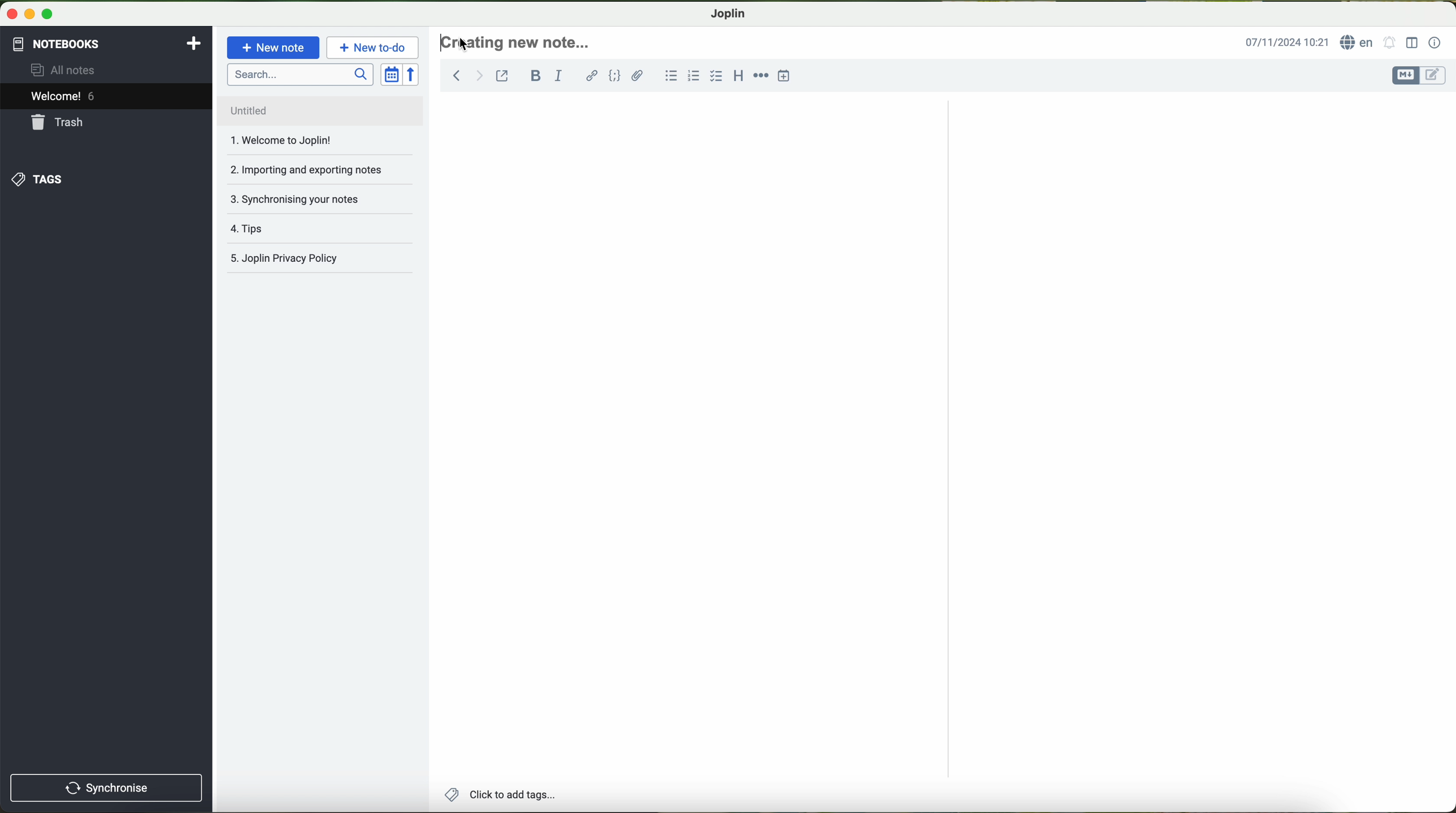 This screenshot has height=813, width=1456. Describe the element at coordinates (319, 174) in the screenshot. I see `importing and exporting notes` at that location.